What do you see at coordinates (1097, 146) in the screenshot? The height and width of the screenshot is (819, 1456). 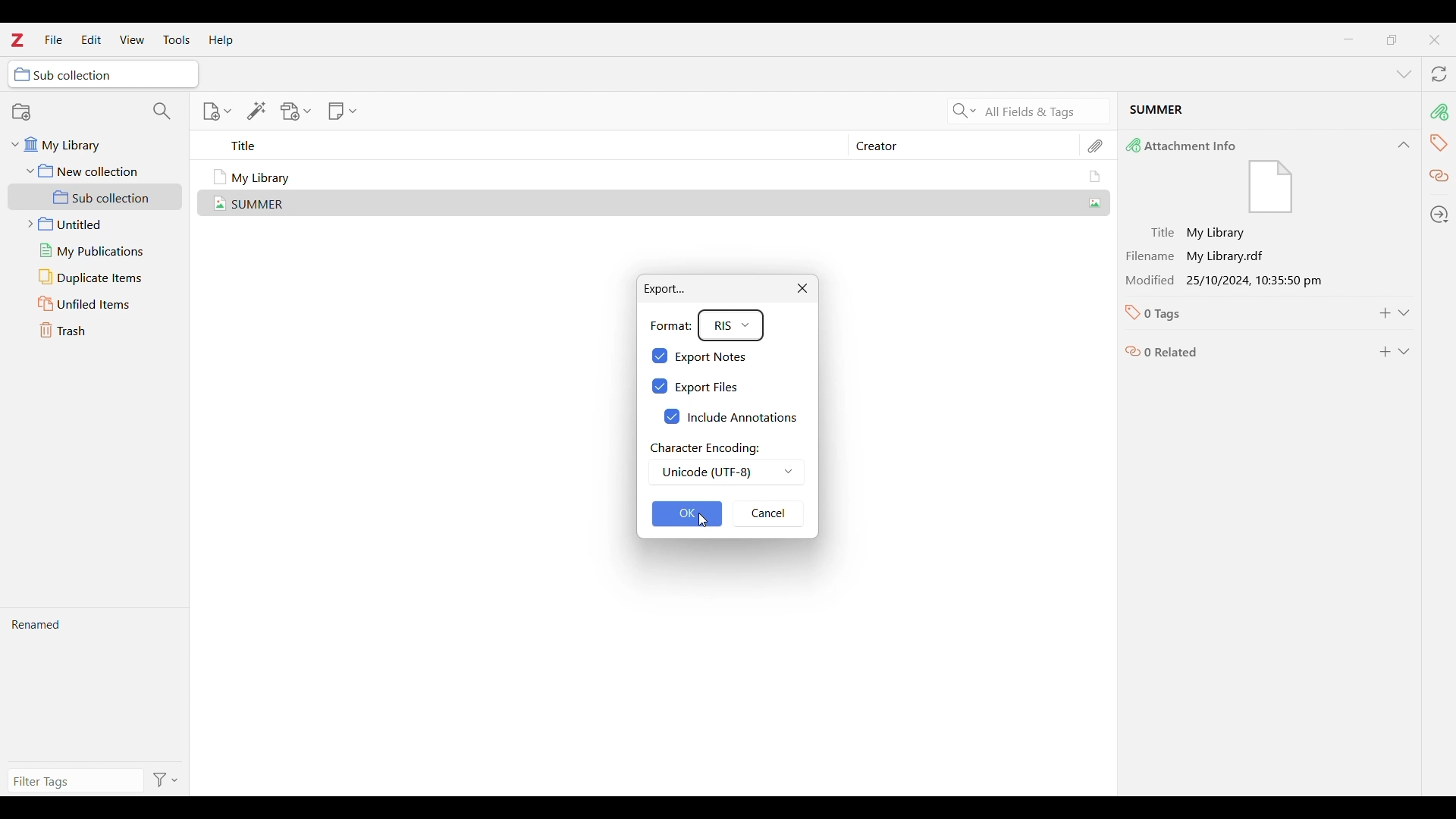 I see `Attachments` at bounding box center [1097, 146].